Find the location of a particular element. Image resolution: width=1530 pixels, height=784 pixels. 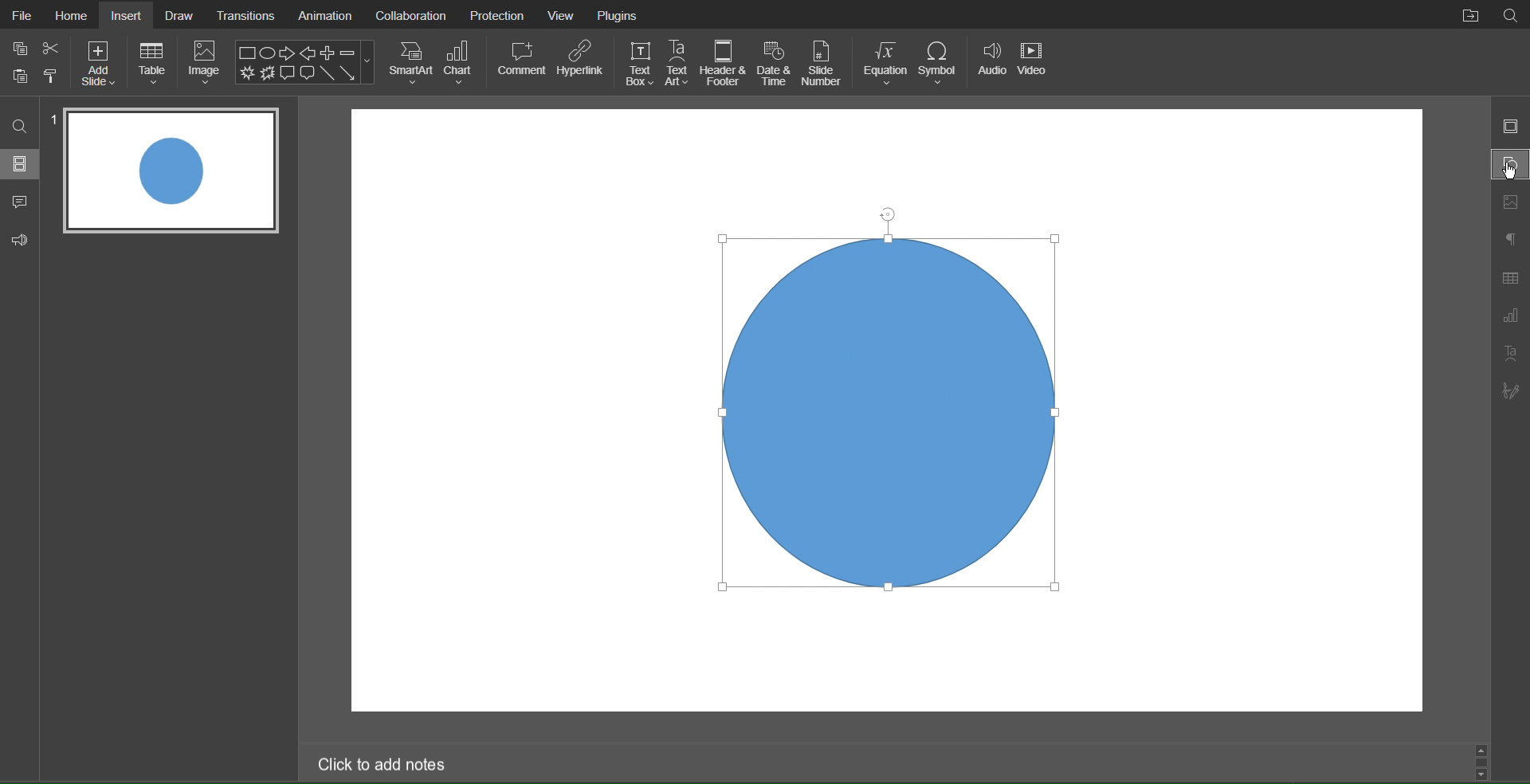

Hyperlink is located at coordinates (581, 62).